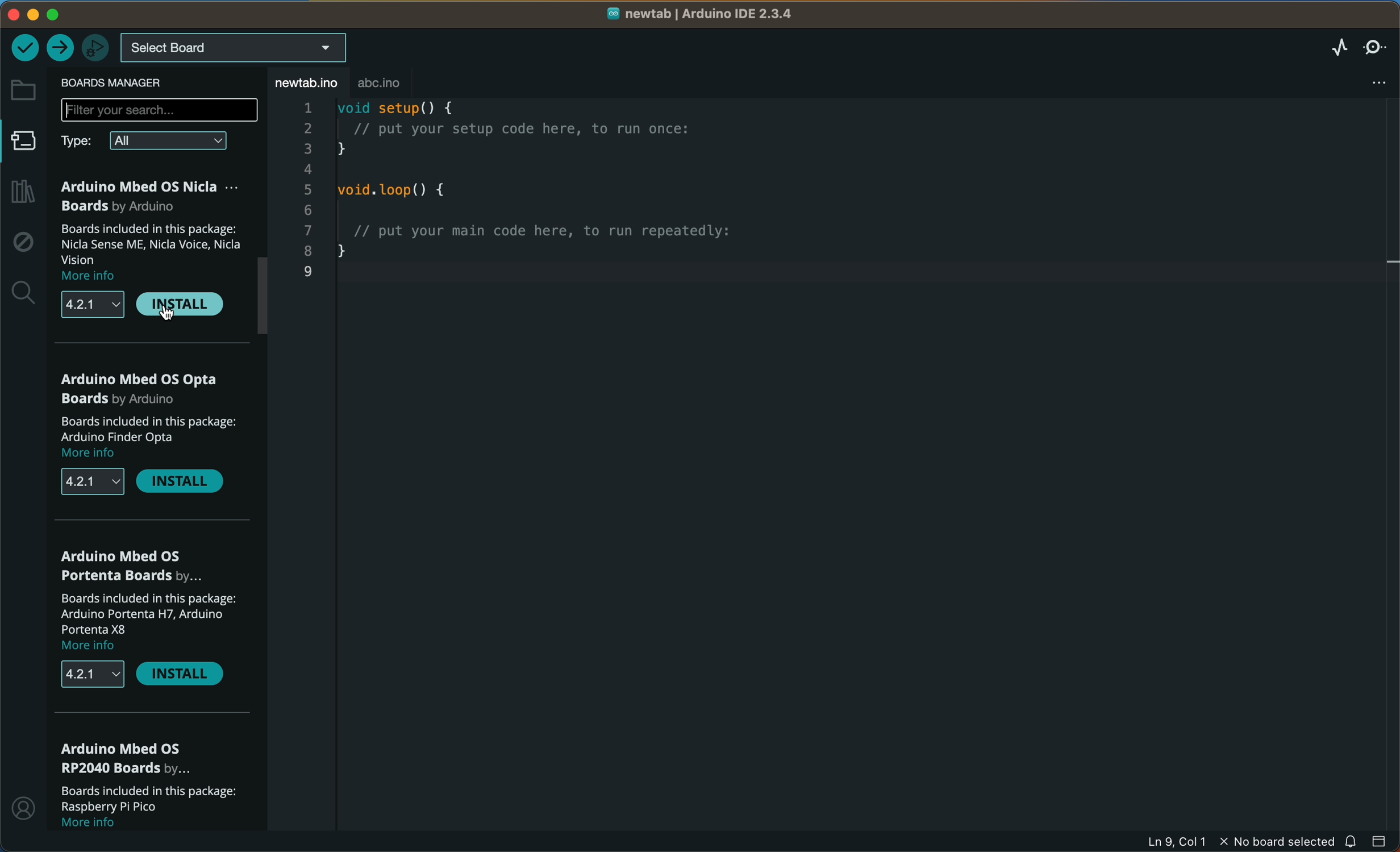  I want to click on description, so click(148, 242).